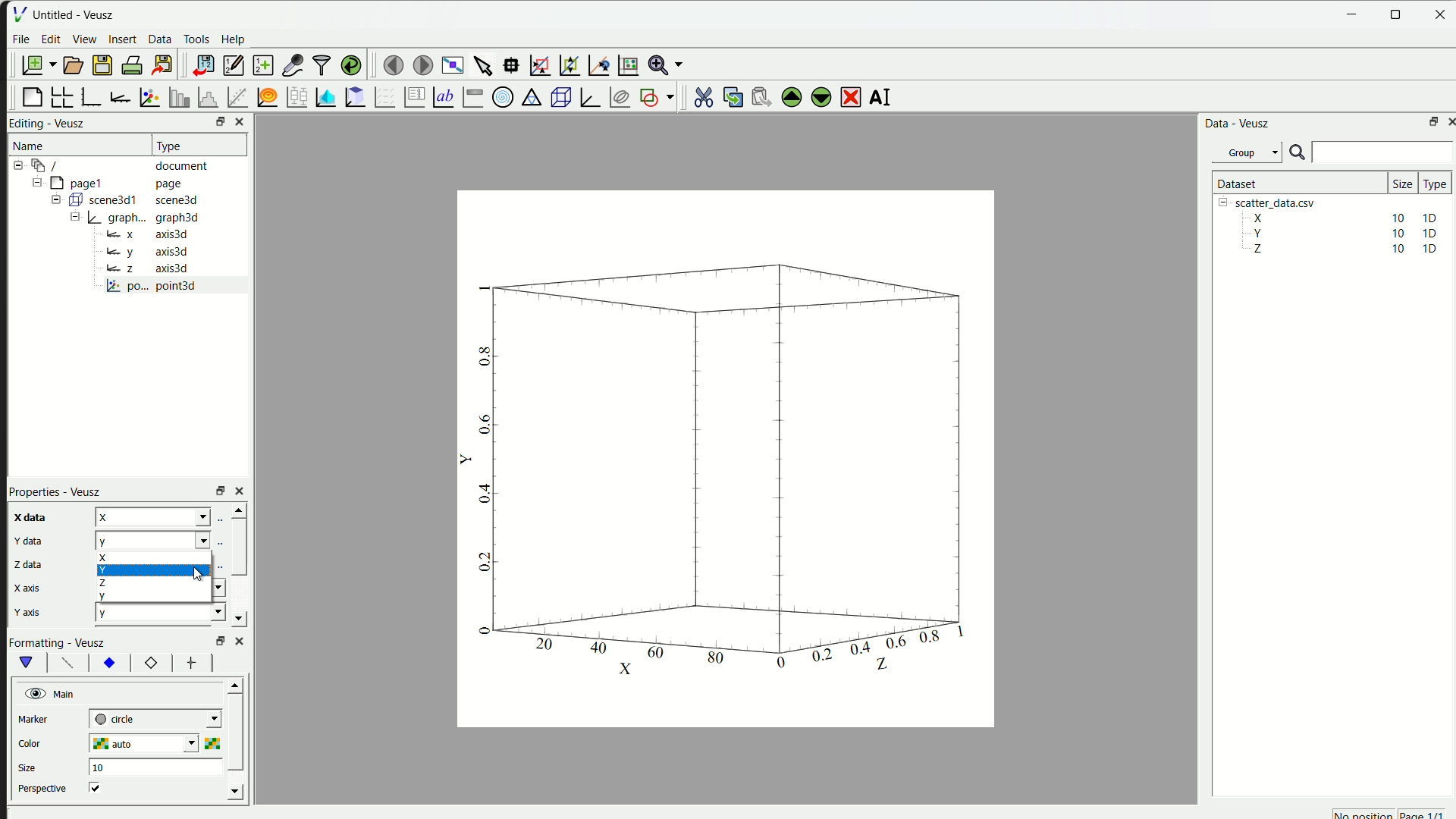 The width and height of the screenshot is (1456, 819). What do you see at coordinates (46, 742) in the screenshot?
I see `color` at bounding box center [46, 742].